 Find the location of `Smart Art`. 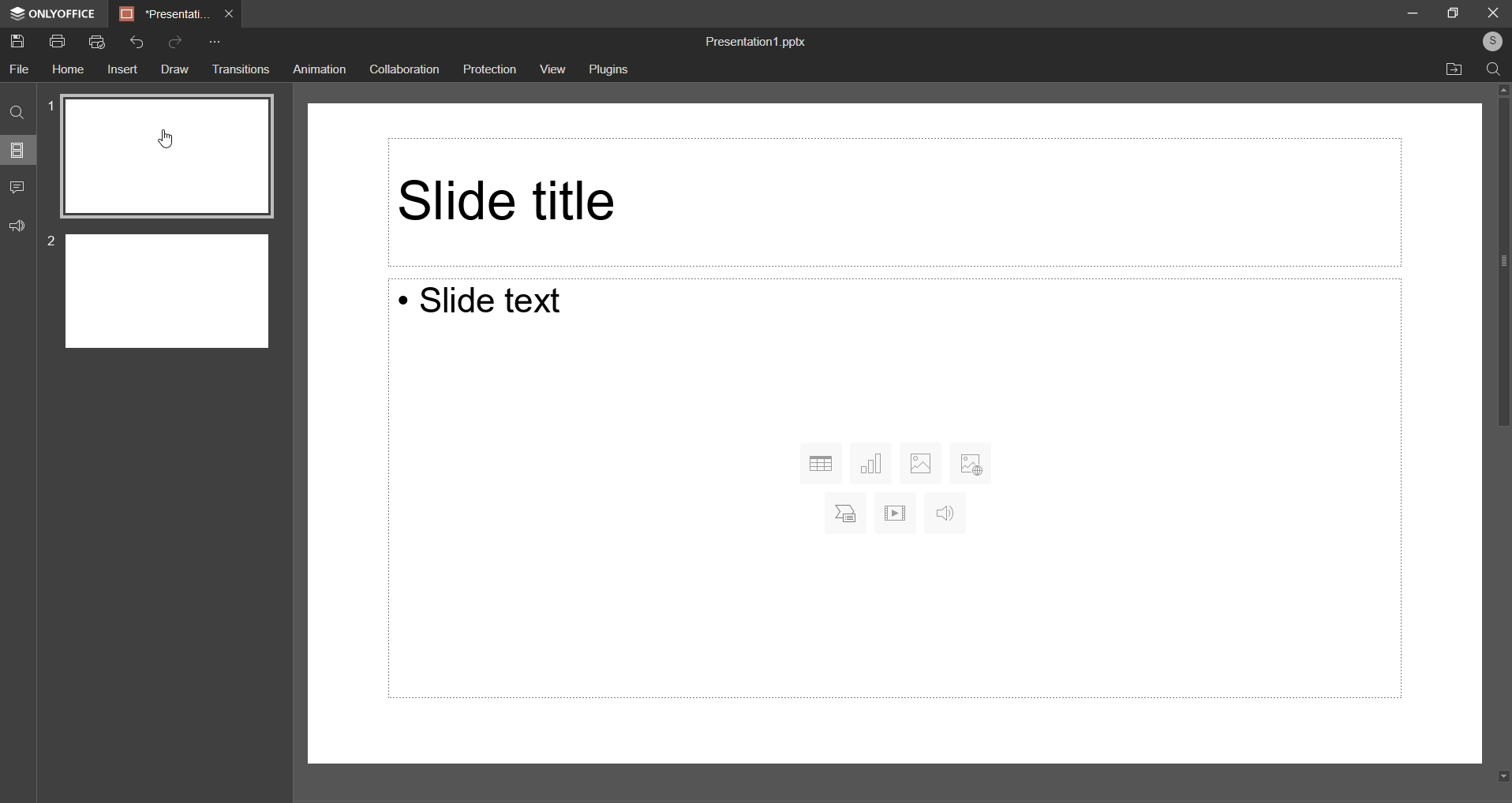

Smart Art is located at coordinates (841, 513).